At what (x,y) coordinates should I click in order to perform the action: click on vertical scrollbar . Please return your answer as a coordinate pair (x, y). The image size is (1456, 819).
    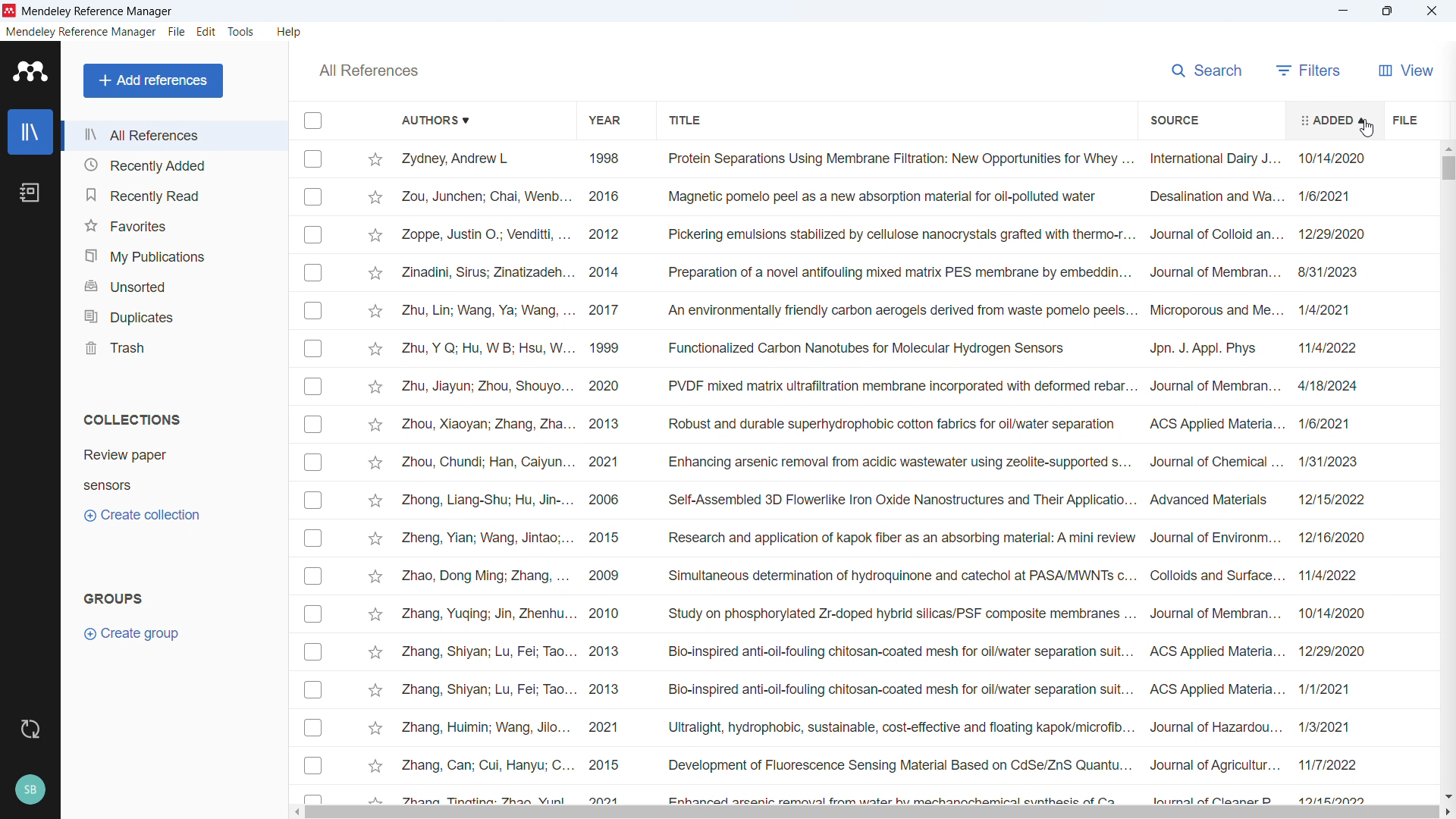
    Looking at the image, I should click on (1448, 169).